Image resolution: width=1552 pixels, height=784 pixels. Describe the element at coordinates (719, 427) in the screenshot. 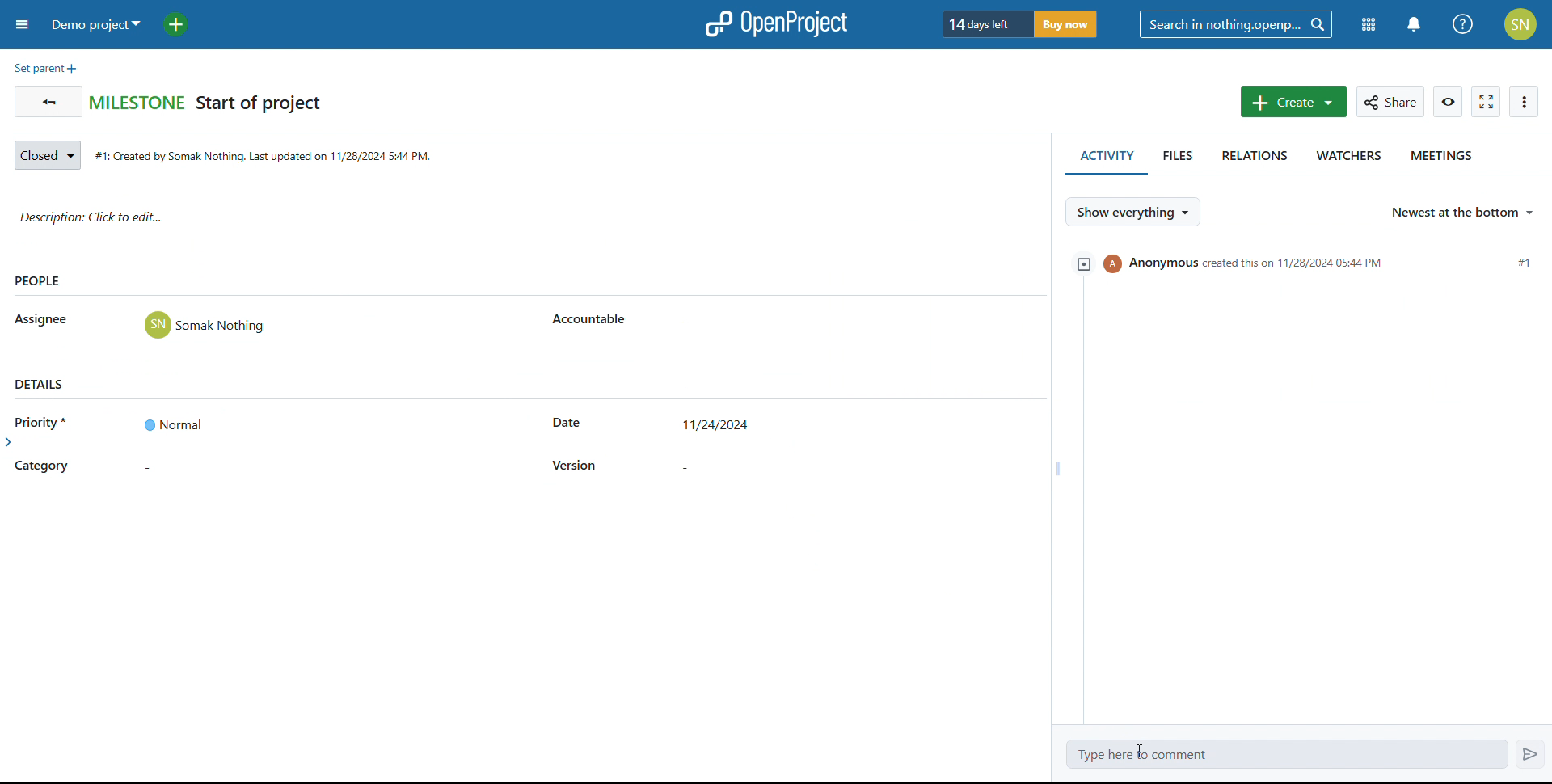

I see `set start date` at that location.